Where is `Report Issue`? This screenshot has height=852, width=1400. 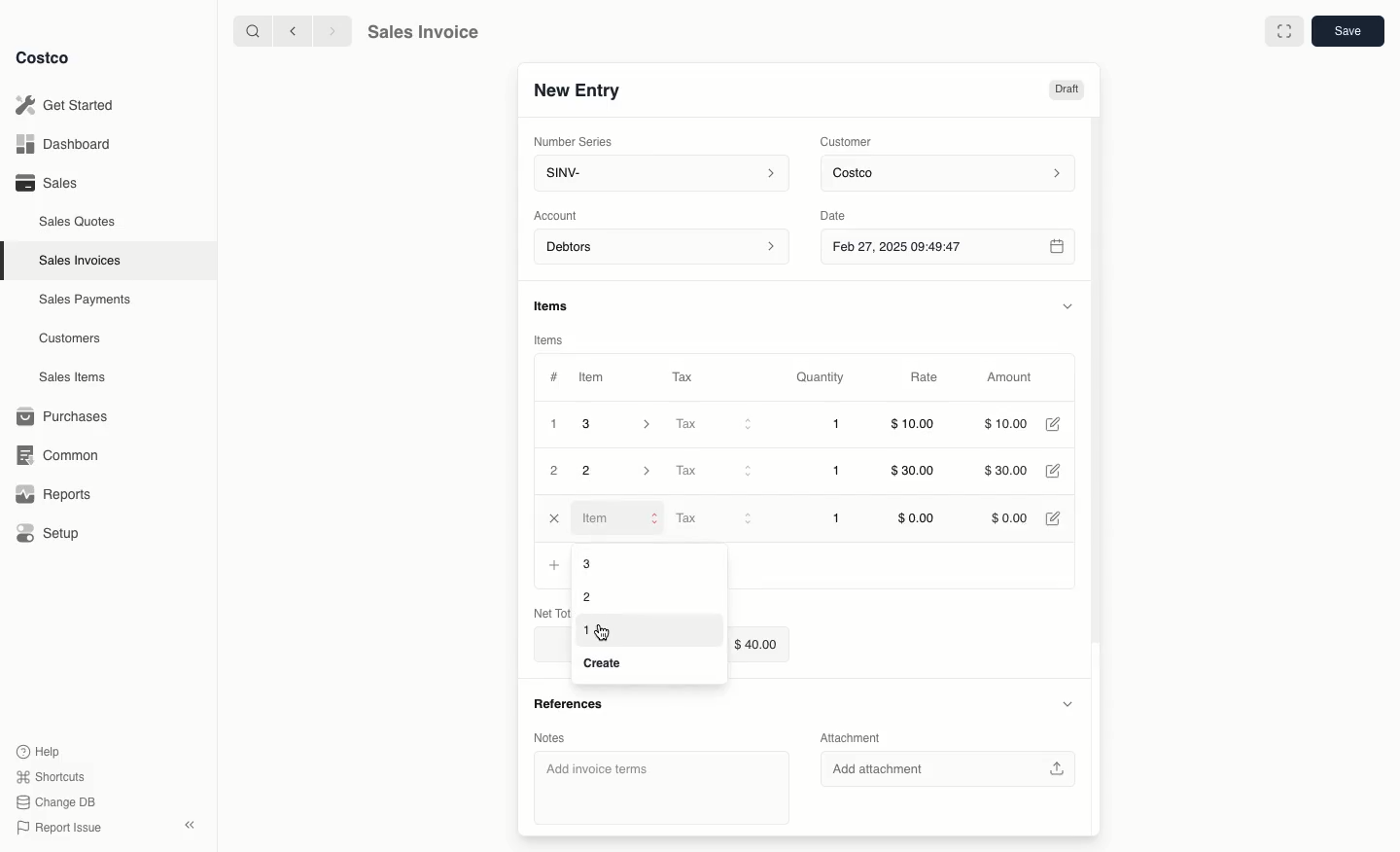
Report Issue is located at coordinates (59, 828).